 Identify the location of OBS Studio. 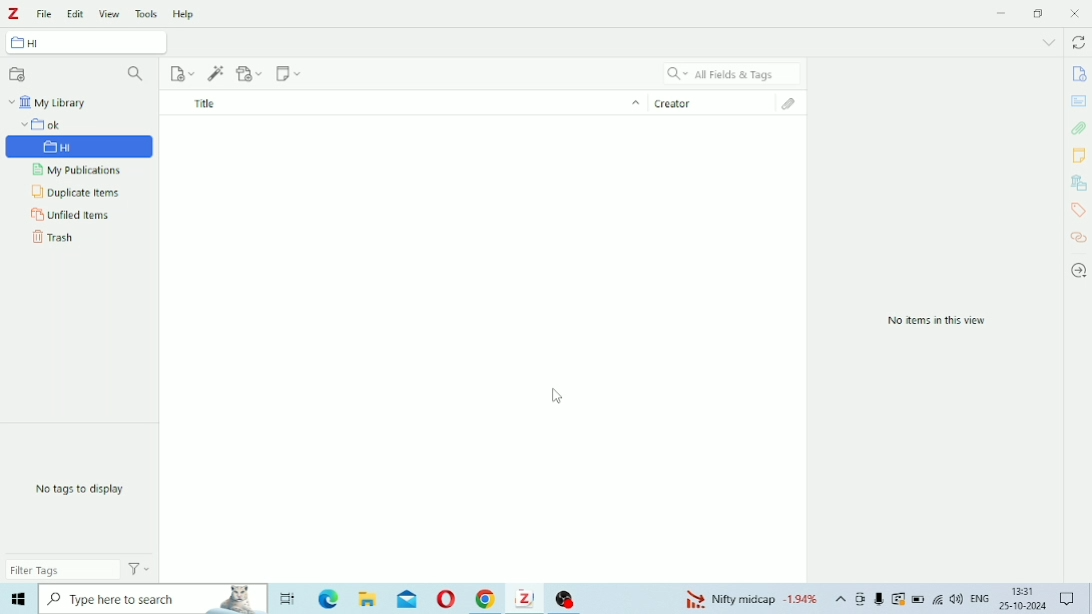
(568, 598).